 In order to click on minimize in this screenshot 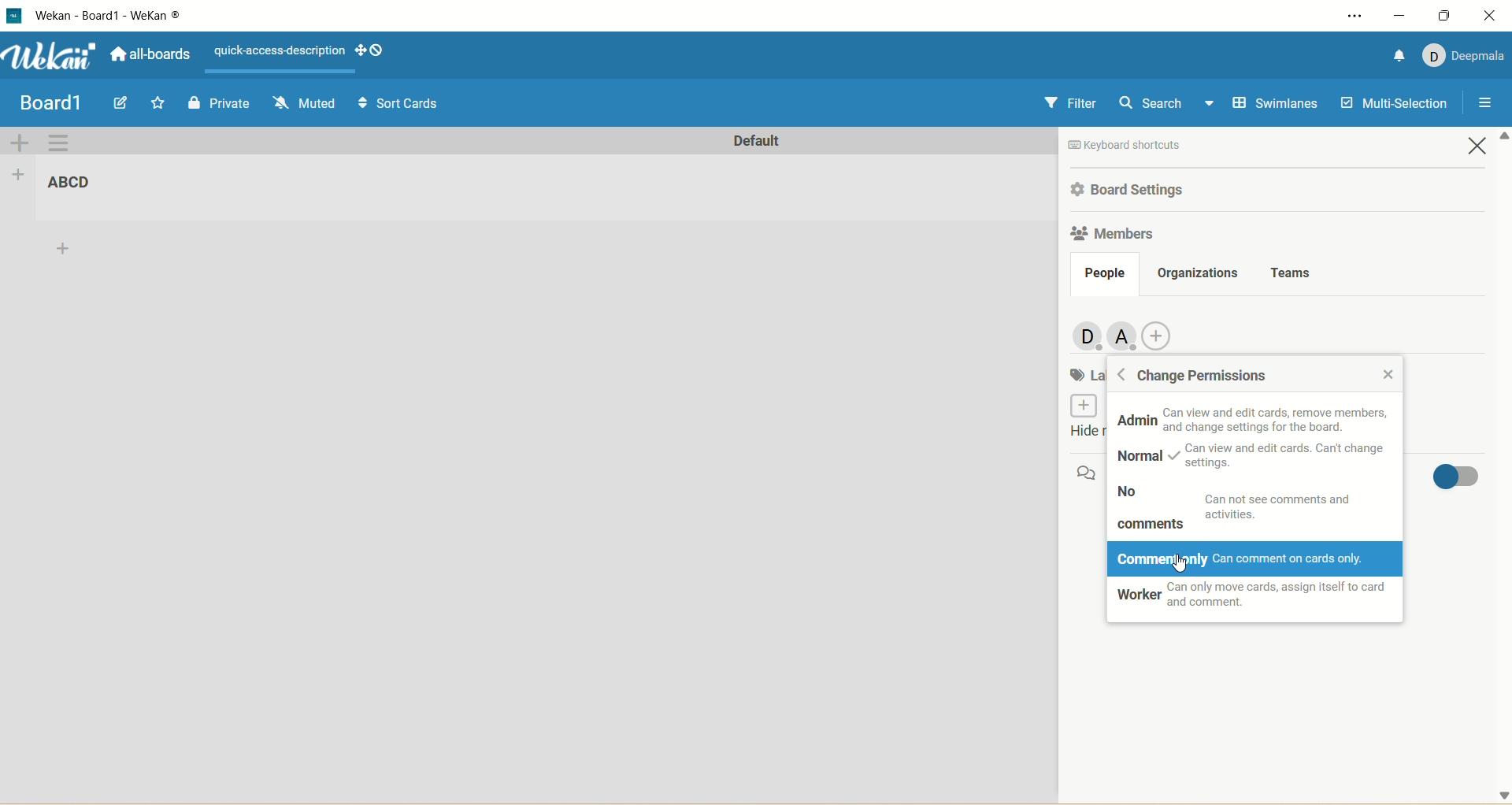, I will do `click(1397, 15)`.